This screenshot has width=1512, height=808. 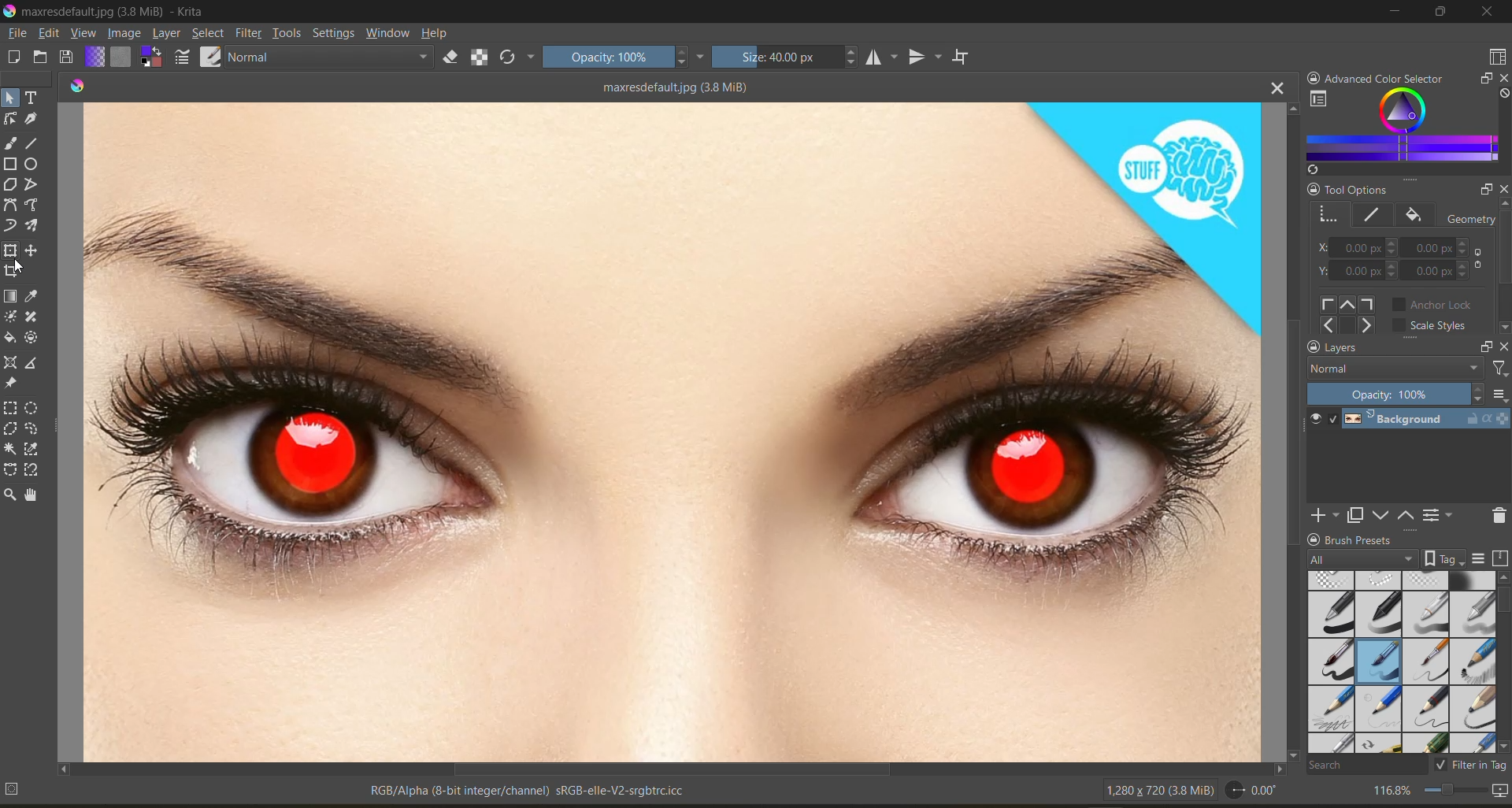 What do you see at coordinates (33, 429) in the screenshot?
I see `tool` at bounding box center [33, 429].